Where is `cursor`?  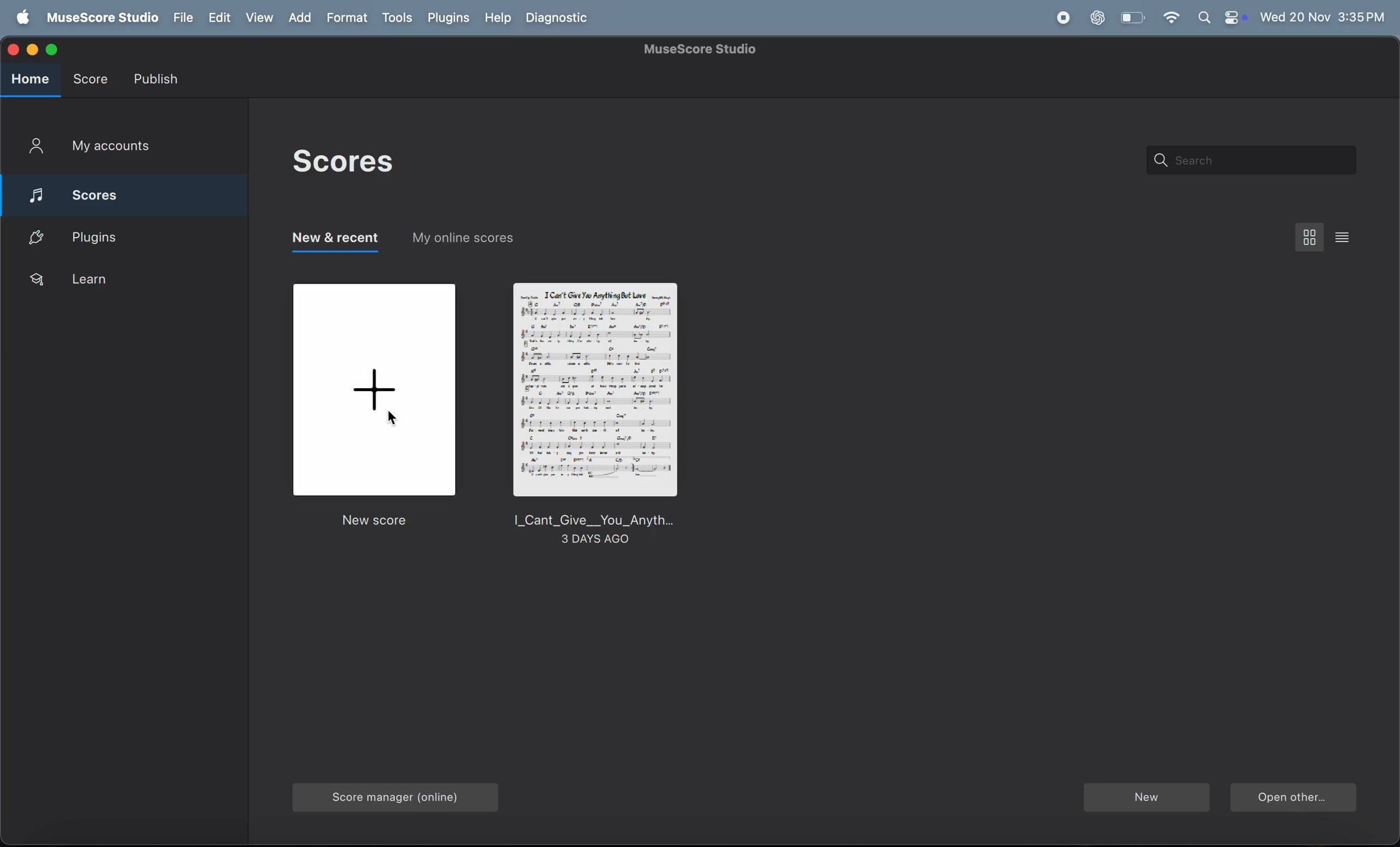 cursor is located at coordinates (395, 424).